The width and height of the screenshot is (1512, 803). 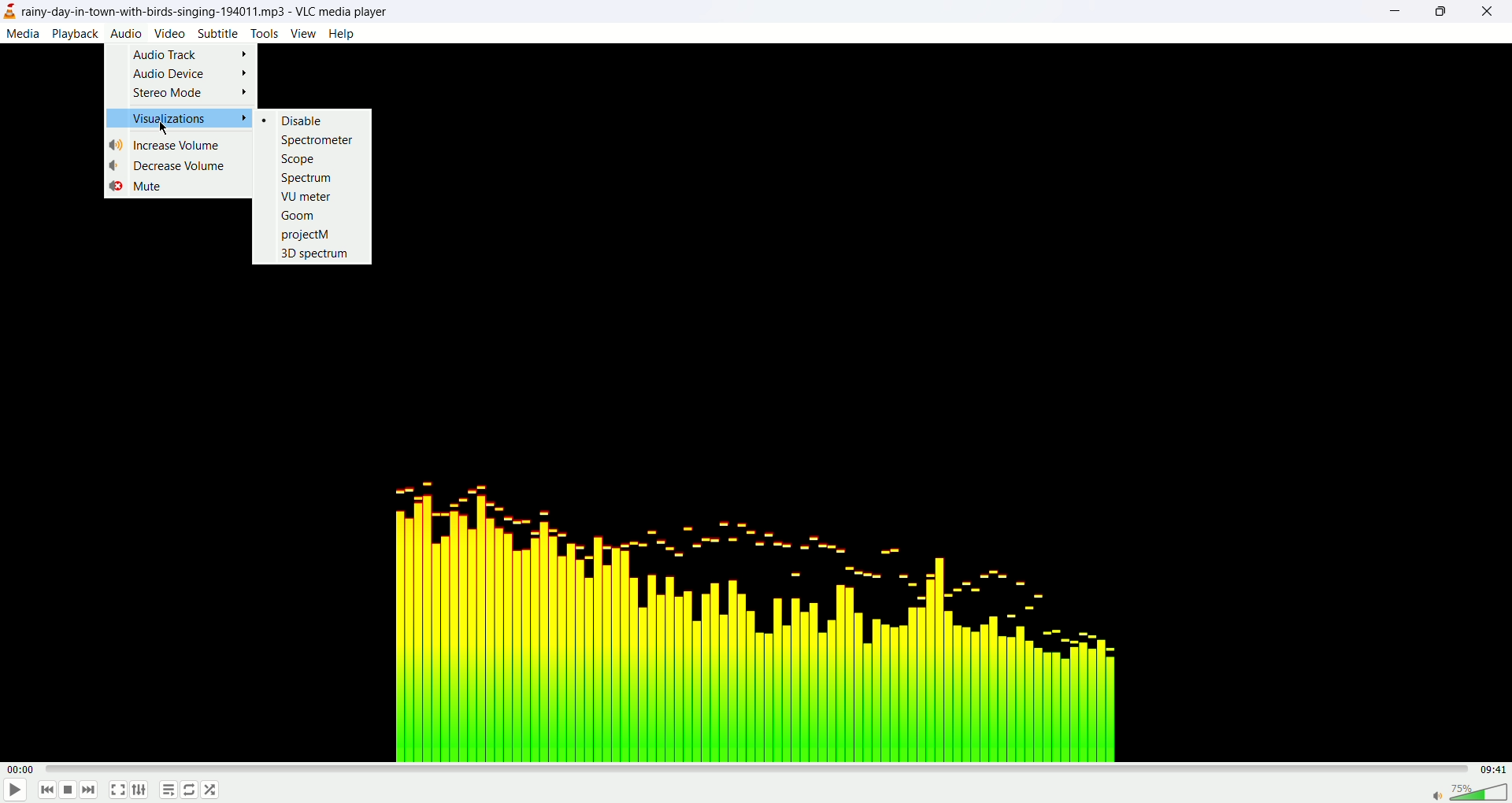 I want to click on total time, so click(x=1494, y=768).